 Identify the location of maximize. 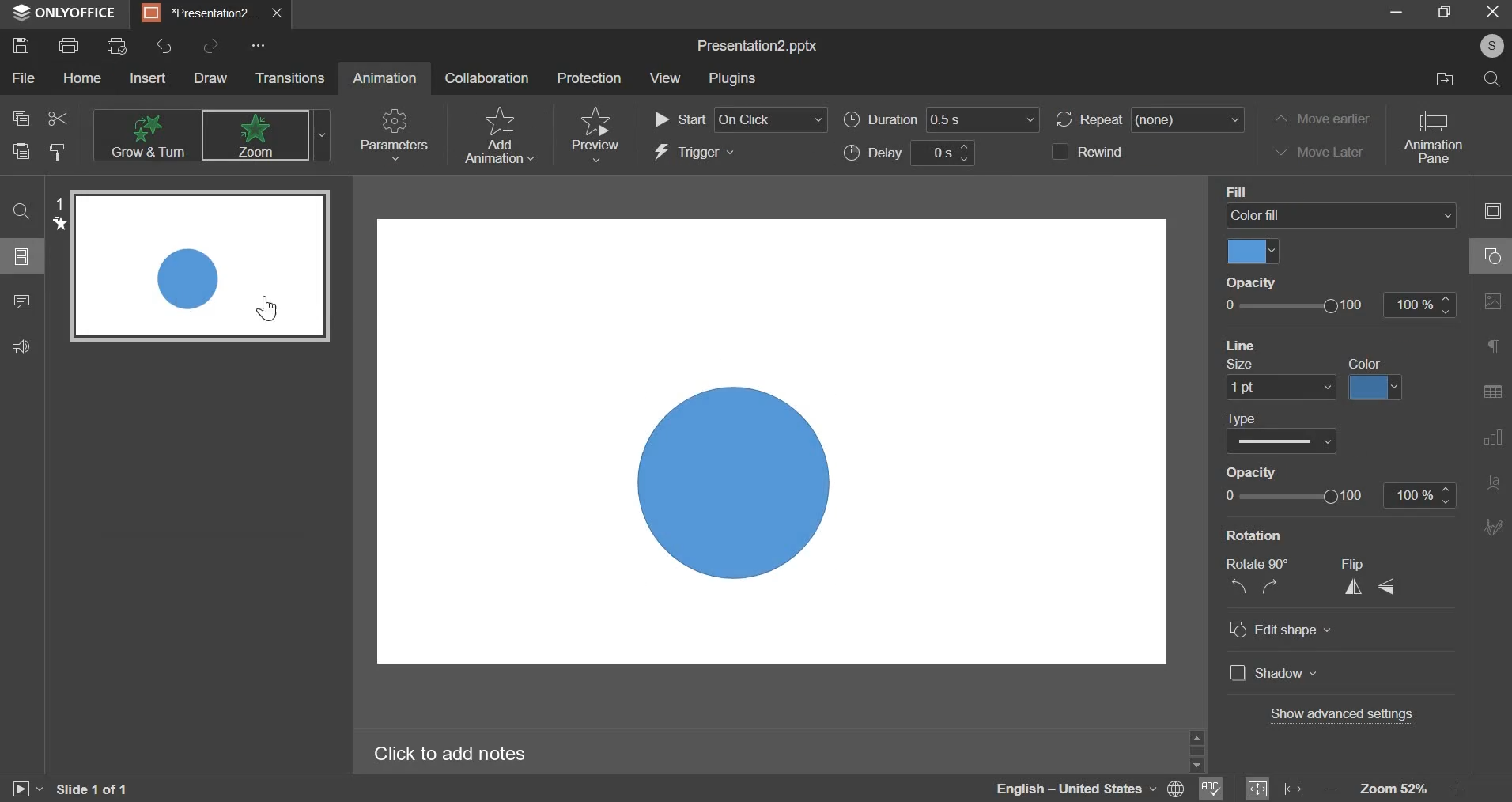
(1449, 12).